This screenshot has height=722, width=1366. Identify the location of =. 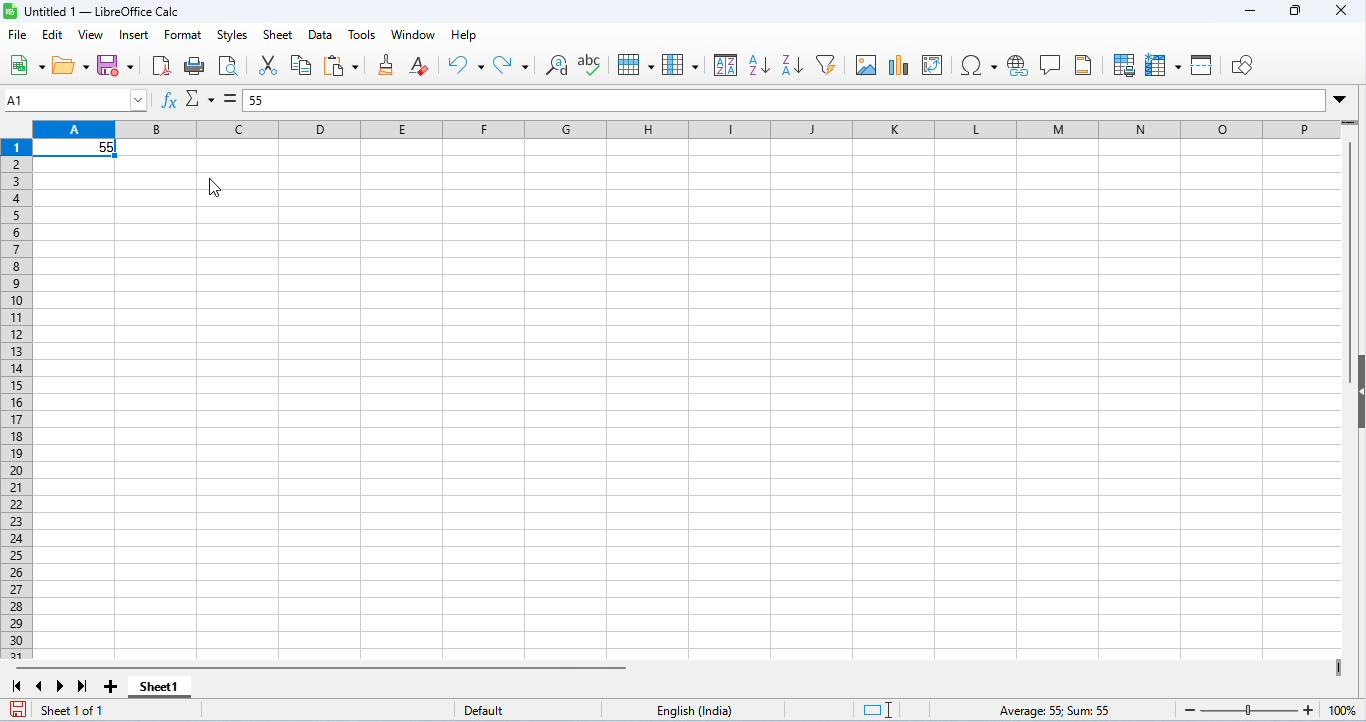
(229, 99).